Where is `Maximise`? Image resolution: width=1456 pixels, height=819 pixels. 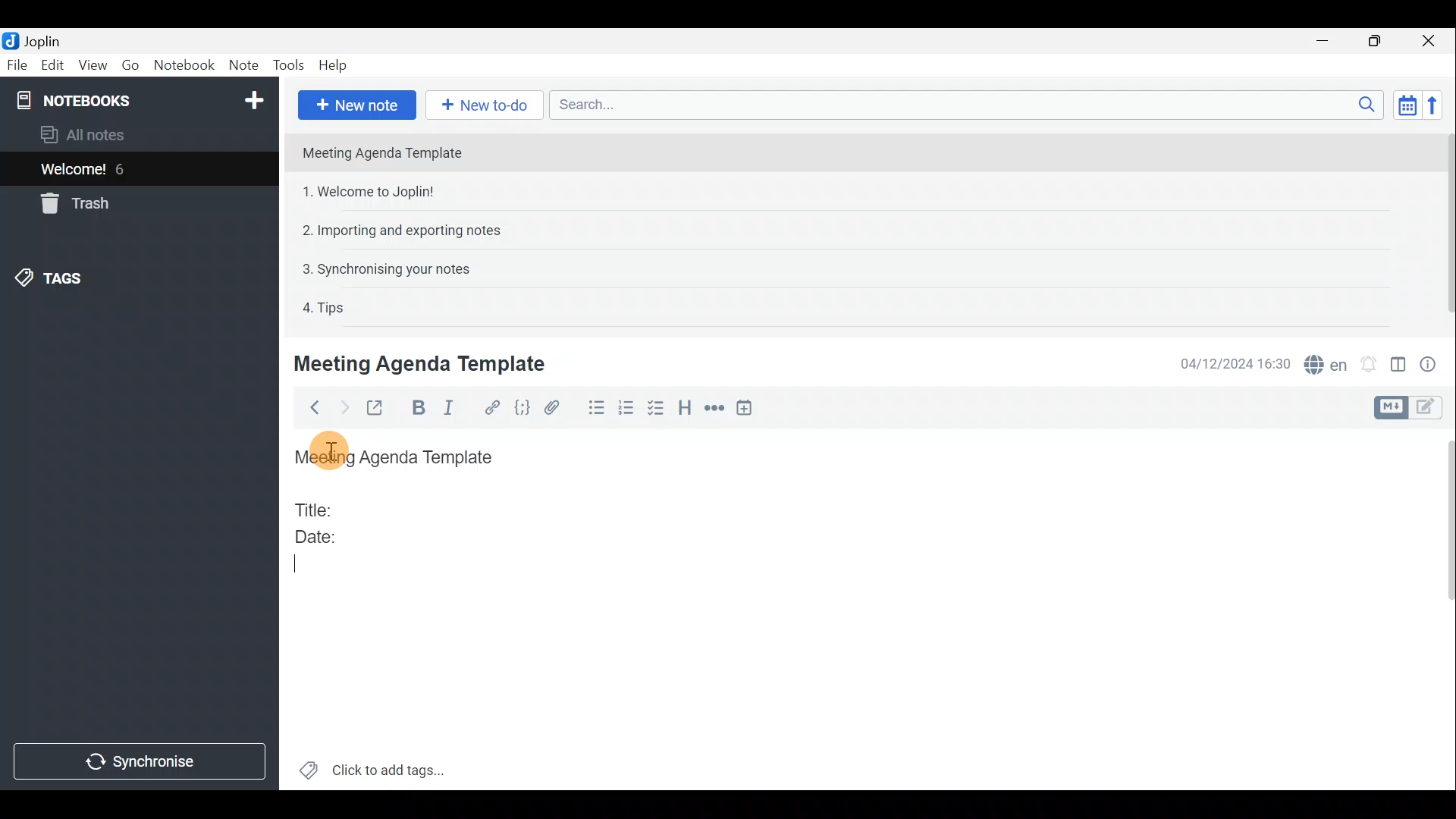 Maximise is located at coordinates (1376, 42).